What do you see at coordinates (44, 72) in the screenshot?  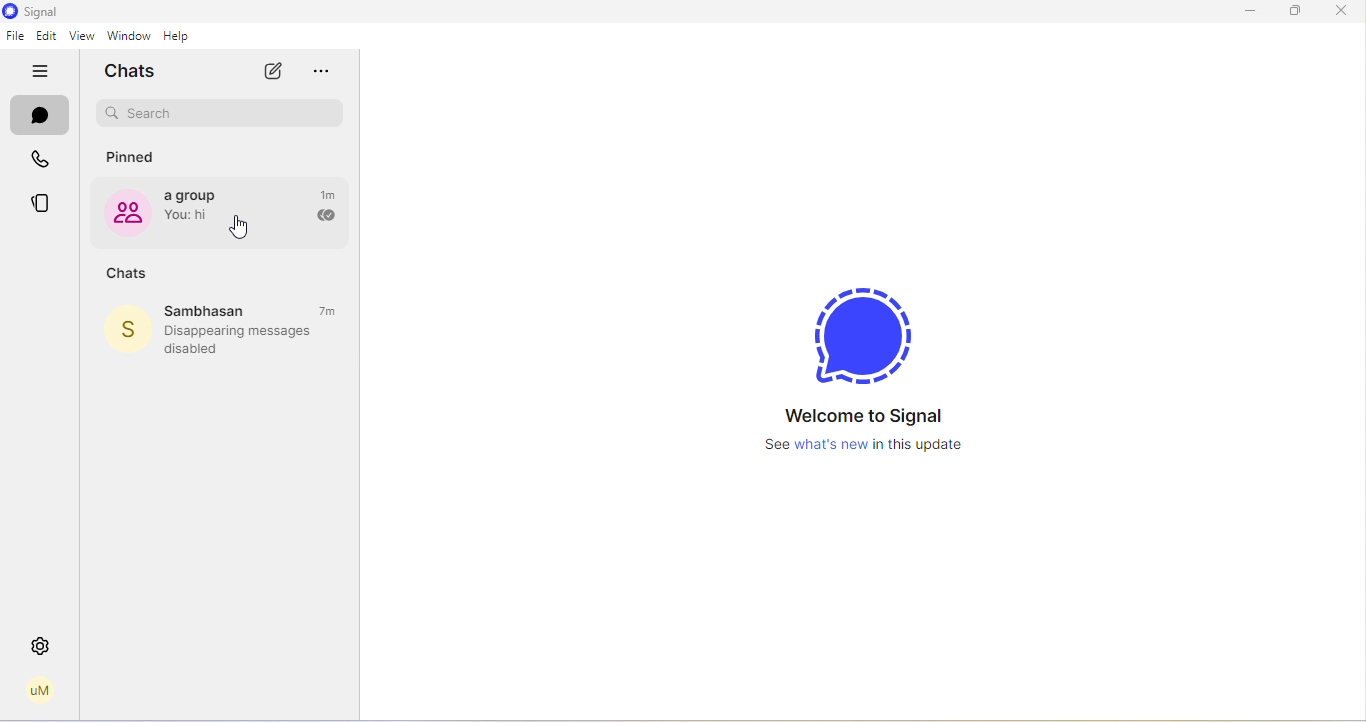 I see `toggle side bar` at bounding box center [44, 72].